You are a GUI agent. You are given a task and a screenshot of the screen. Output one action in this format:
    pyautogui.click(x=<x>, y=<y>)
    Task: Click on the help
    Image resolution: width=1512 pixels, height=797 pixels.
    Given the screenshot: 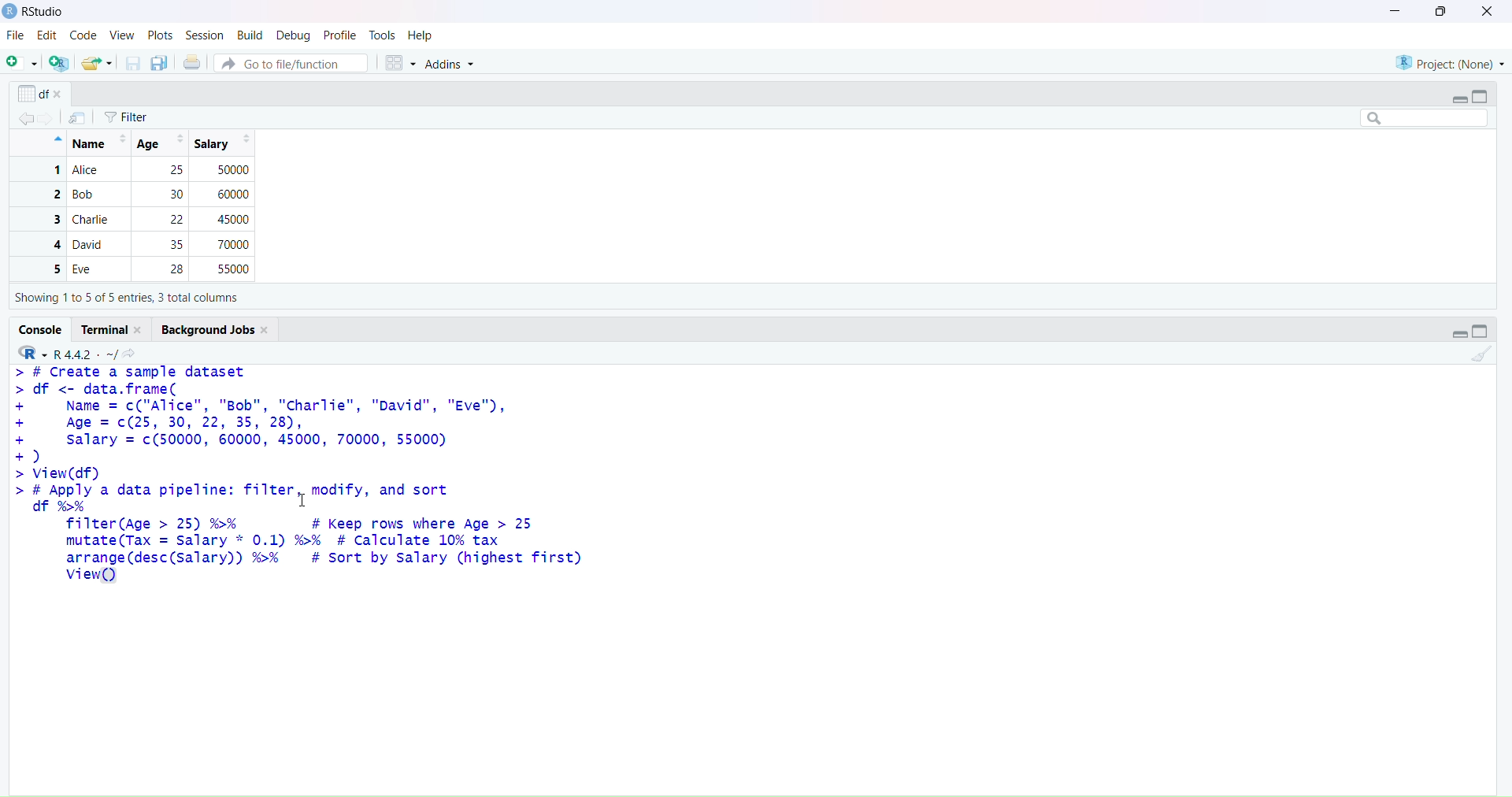 What is the action you would take?
    pyautogui.click(x=423, y=35)
    